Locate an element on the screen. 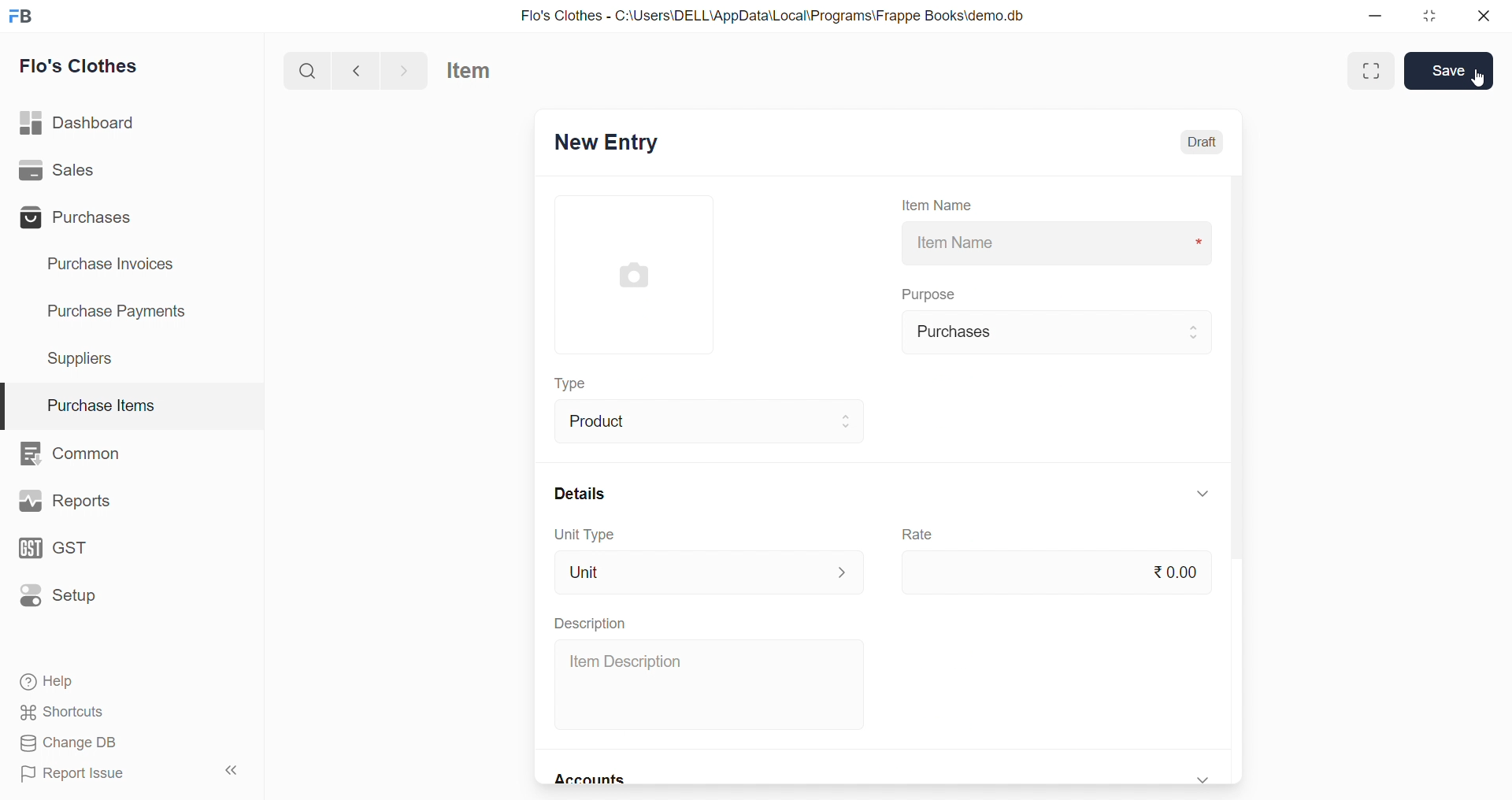  Common is located at coordinates (79, 452).